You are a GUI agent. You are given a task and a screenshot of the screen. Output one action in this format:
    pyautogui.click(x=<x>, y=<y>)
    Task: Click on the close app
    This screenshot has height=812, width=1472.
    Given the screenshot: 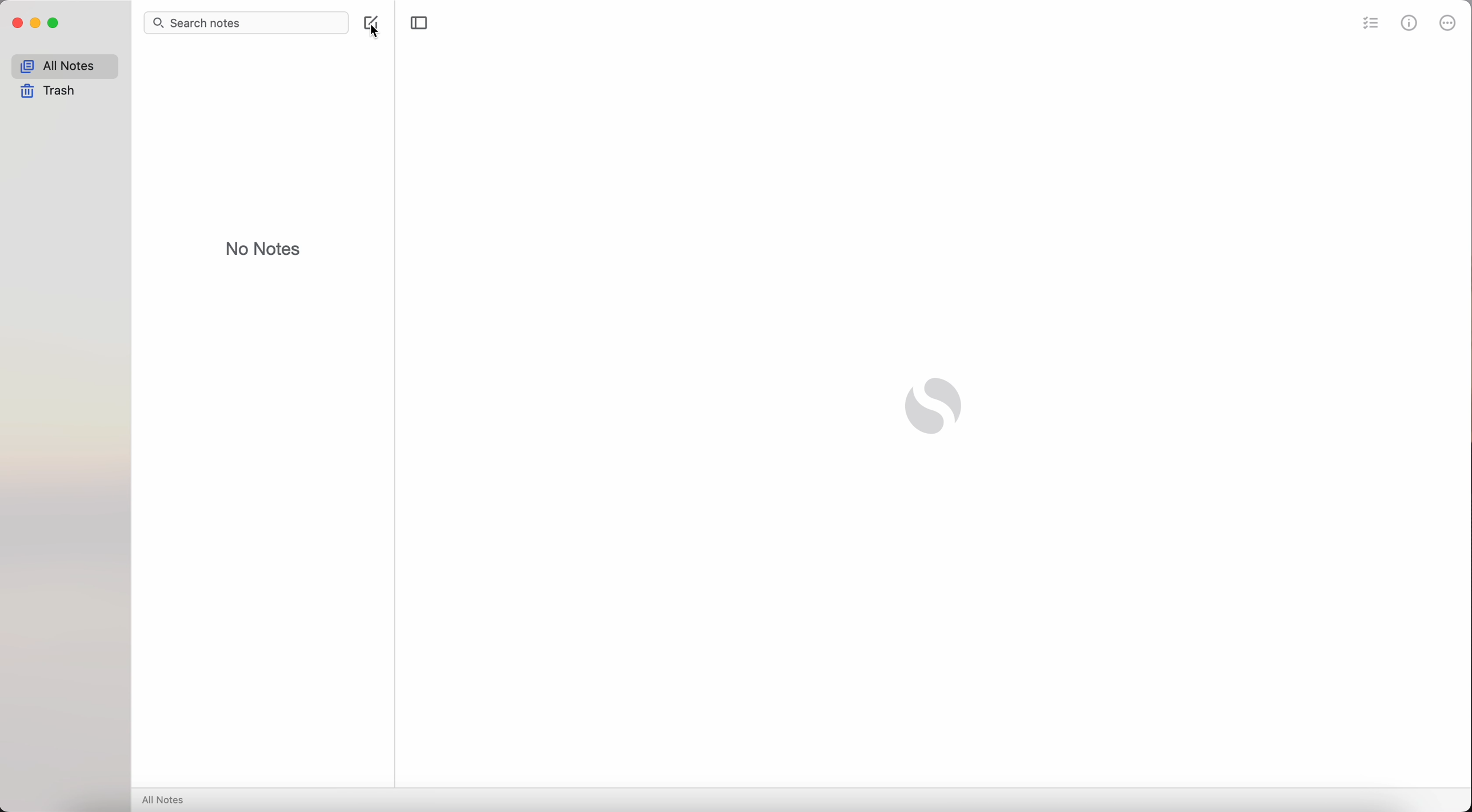 What is the action you would take?
    pyautogui.click(x=18, y=23)
    